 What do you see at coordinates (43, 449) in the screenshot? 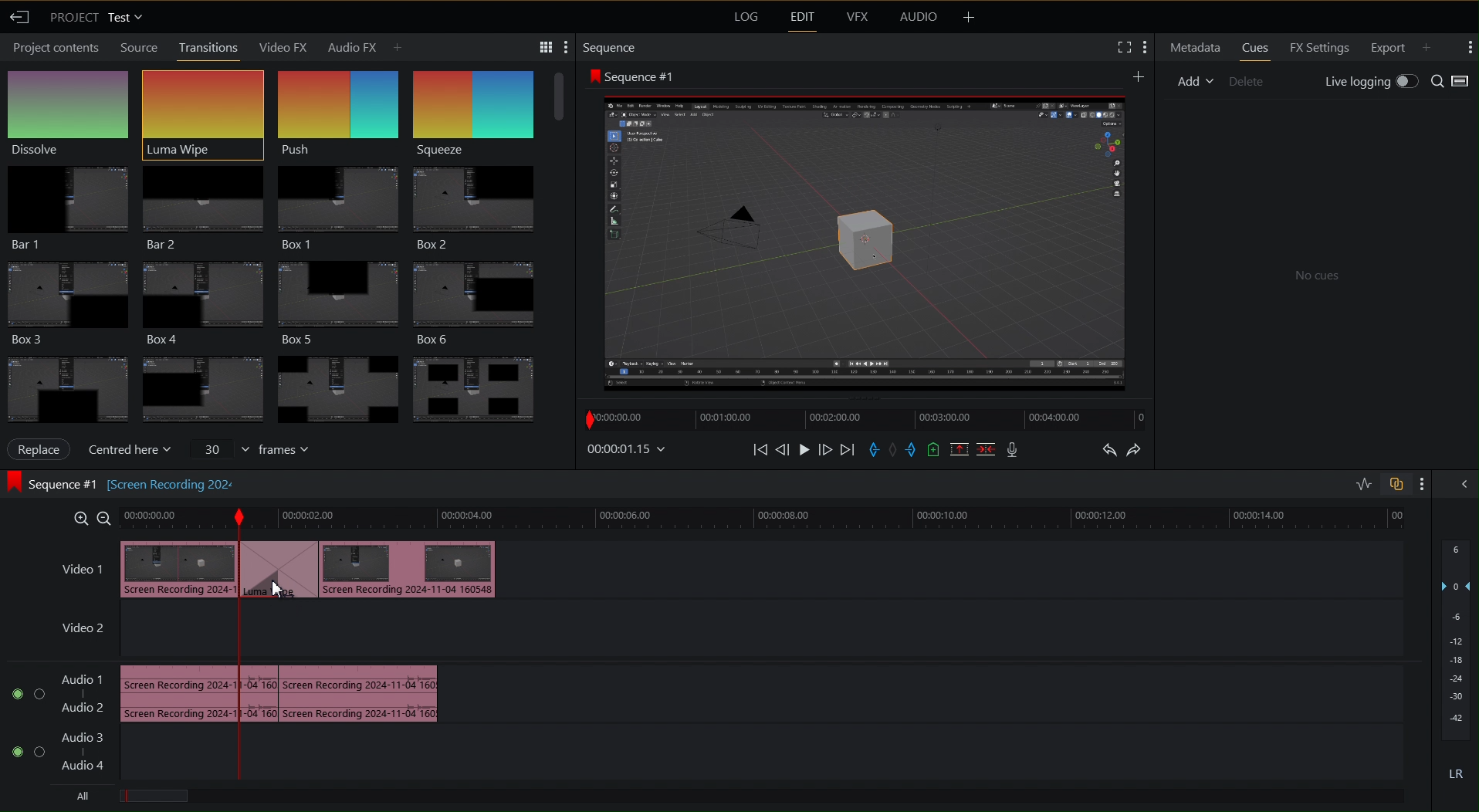
I see `Apply` at bounding box center [43, 449].